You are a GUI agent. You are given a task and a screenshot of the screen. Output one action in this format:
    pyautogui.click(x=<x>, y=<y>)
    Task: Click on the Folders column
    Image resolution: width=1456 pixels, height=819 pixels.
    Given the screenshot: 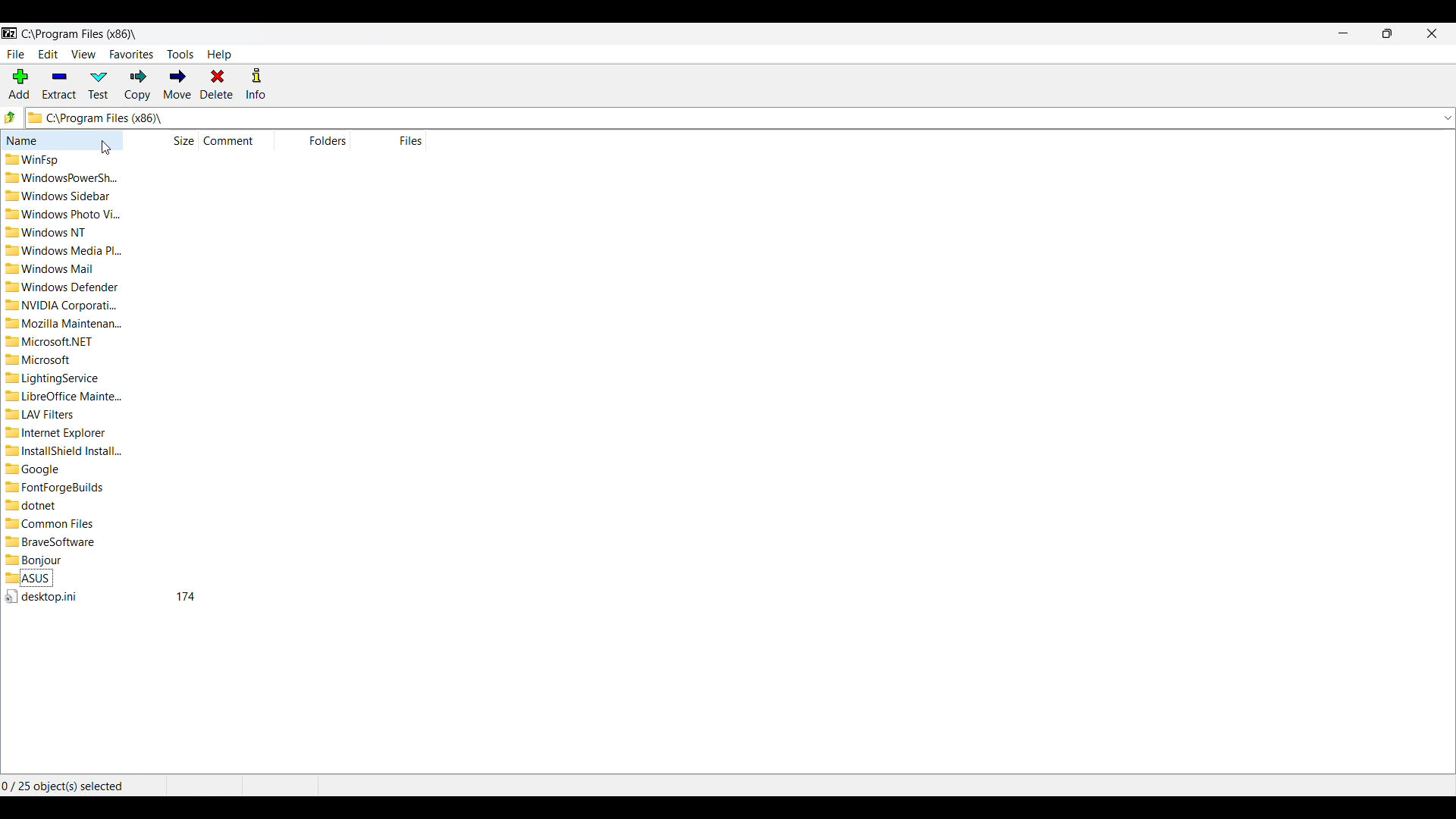 What is the action you would take?
    pyautogui.click(x=315, y=140)
    